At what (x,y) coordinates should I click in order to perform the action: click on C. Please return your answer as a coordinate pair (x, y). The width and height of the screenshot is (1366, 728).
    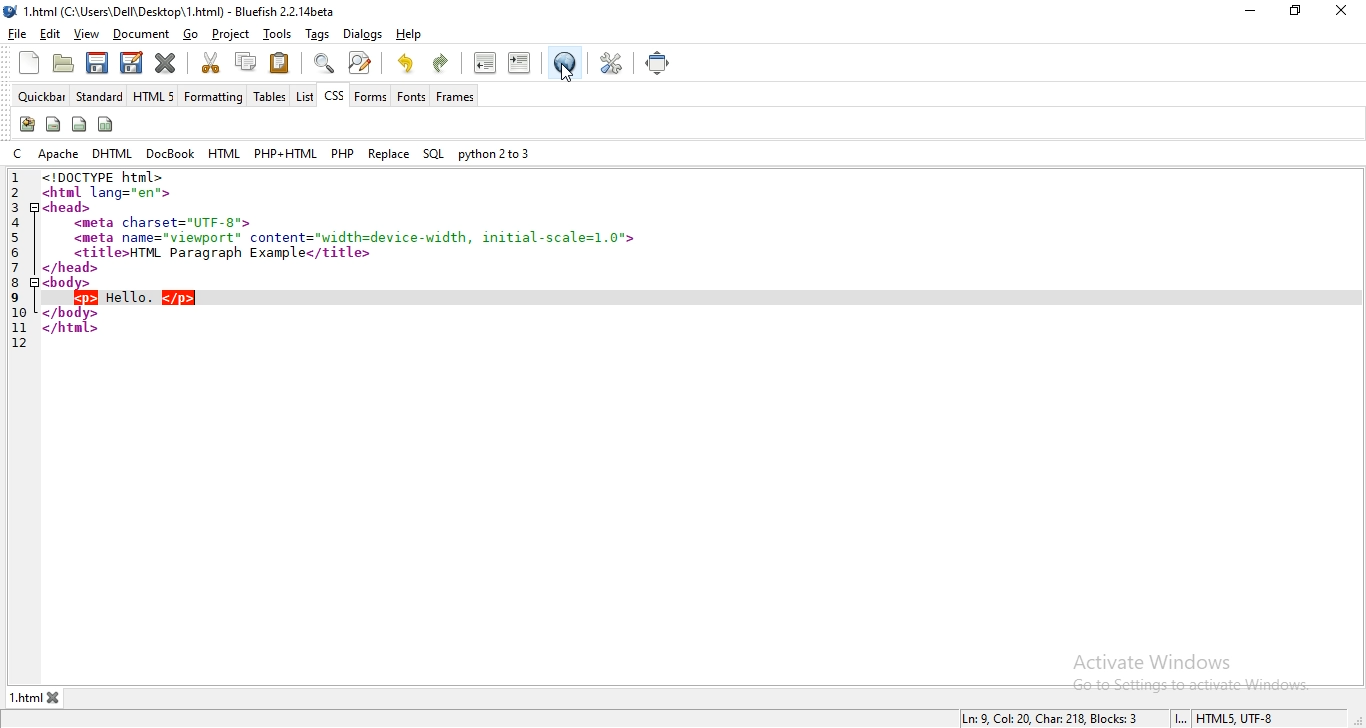
    Looking at the image, I should click on (18, 154).